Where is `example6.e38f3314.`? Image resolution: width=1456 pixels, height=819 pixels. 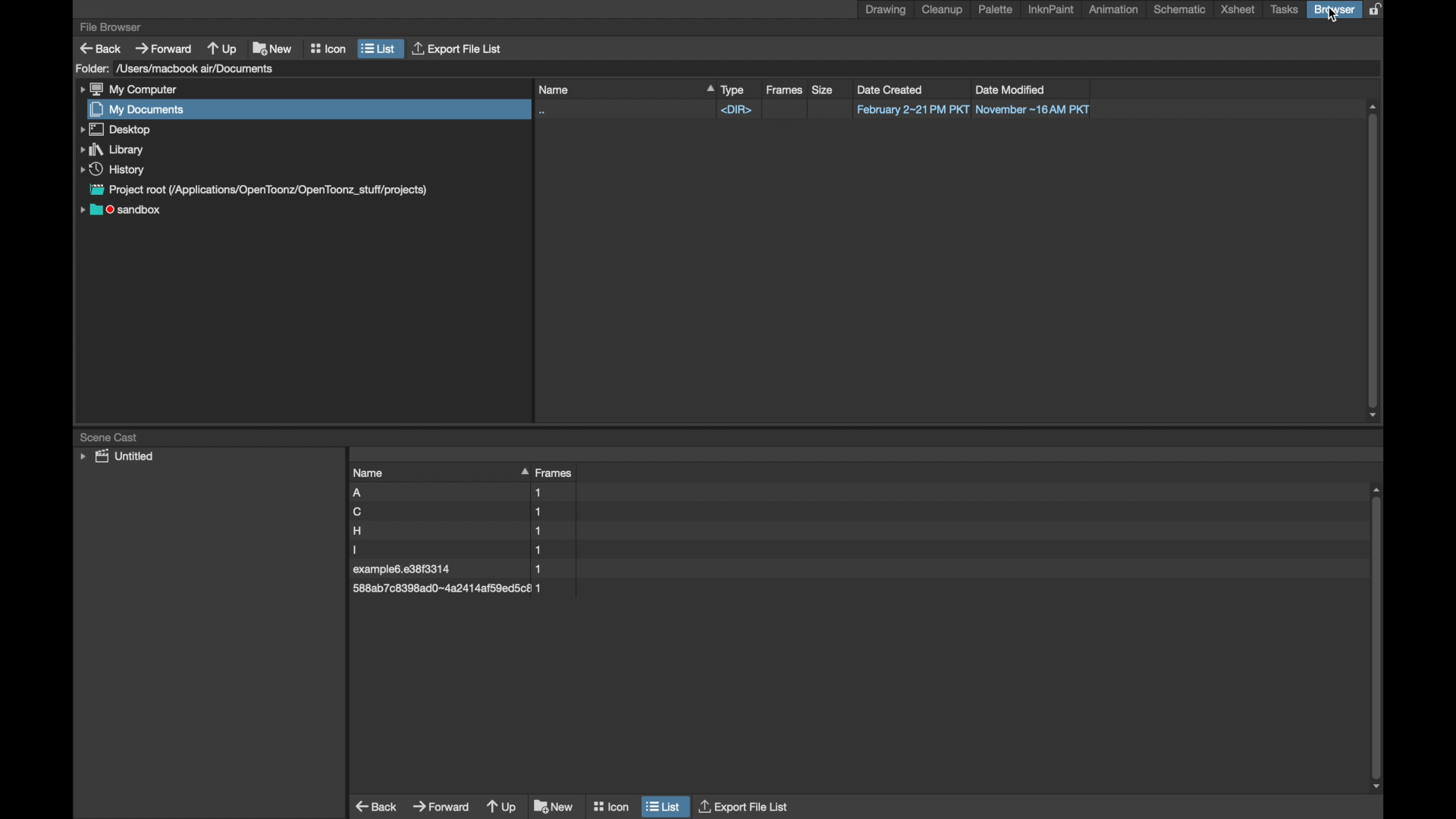 example6.e38f3314. is located at coordinates (406, 569).